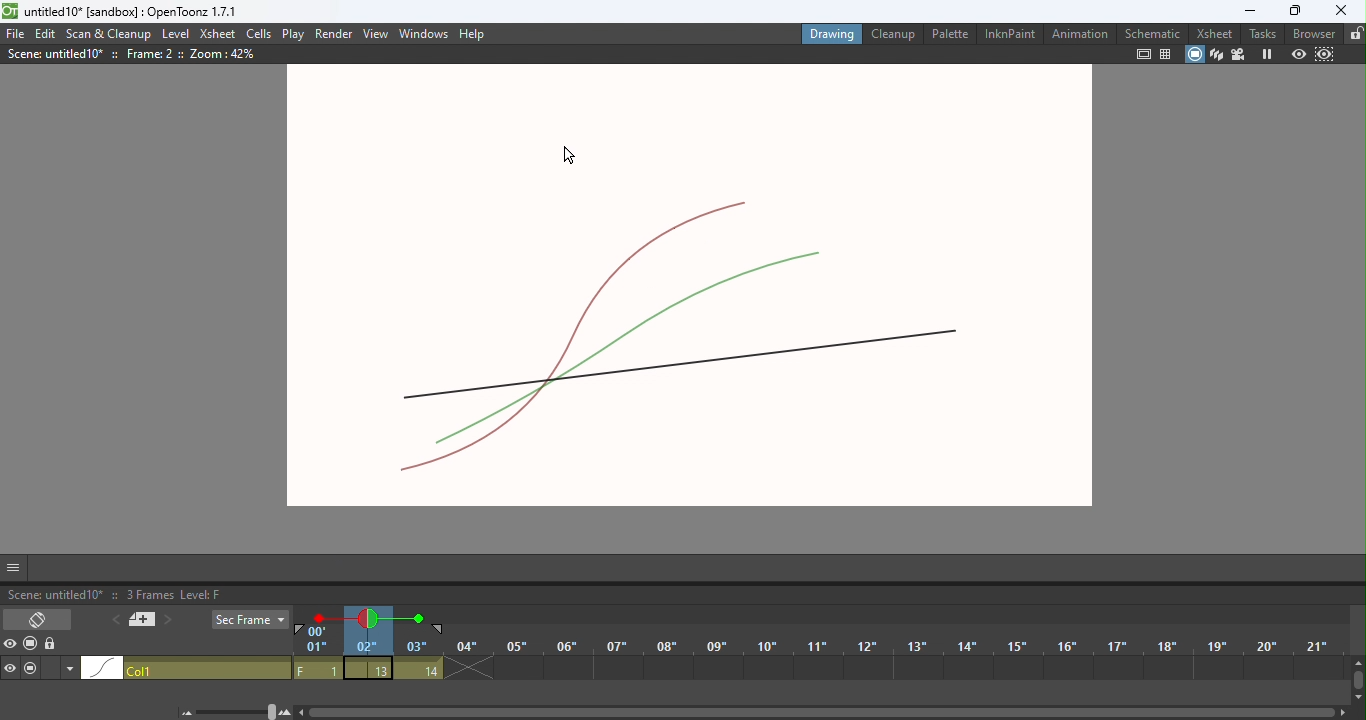 The width and height of the screenshot is (1366, 720). I want to click on New memo, so click(140, 620).